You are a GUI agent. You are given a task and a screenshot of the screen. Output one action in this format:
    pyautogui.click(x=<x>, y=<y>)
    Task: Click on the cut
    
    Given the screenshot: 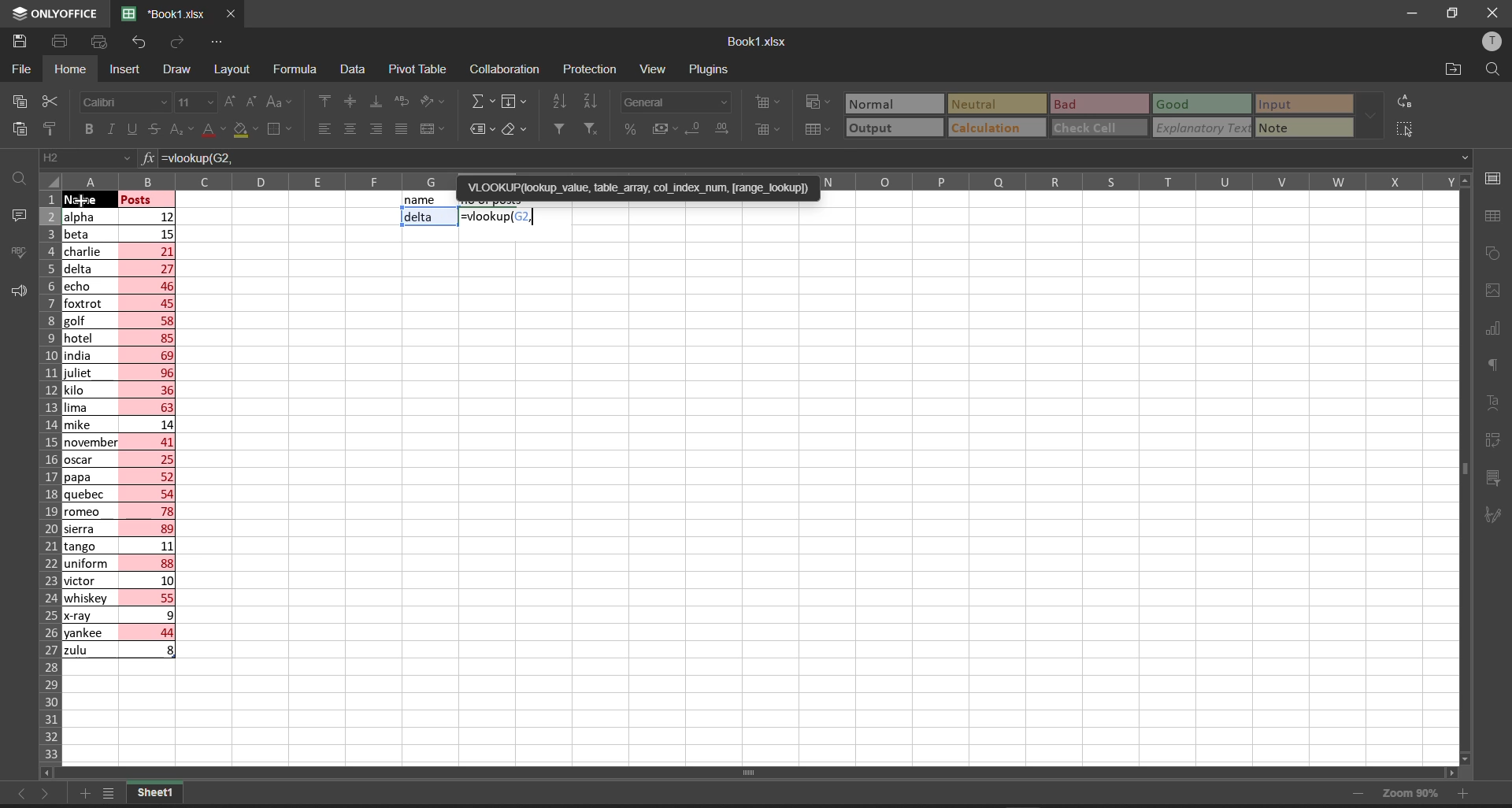 What is the action you would take?
    pyautogui.click(x=51, y=98)
    